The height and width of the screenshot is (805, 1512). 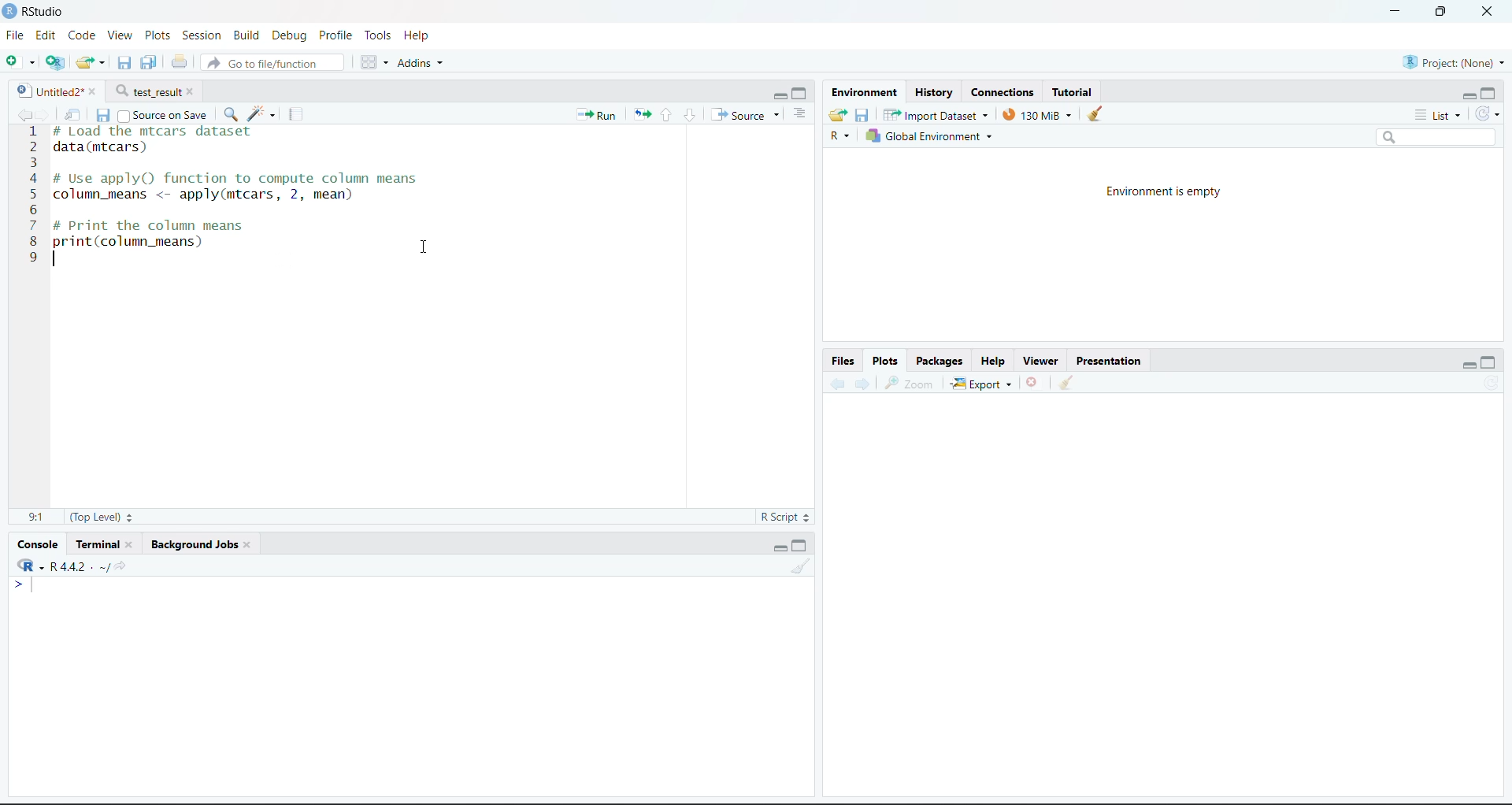 I want to click on Import Dataset, so click(x=936, y=114).